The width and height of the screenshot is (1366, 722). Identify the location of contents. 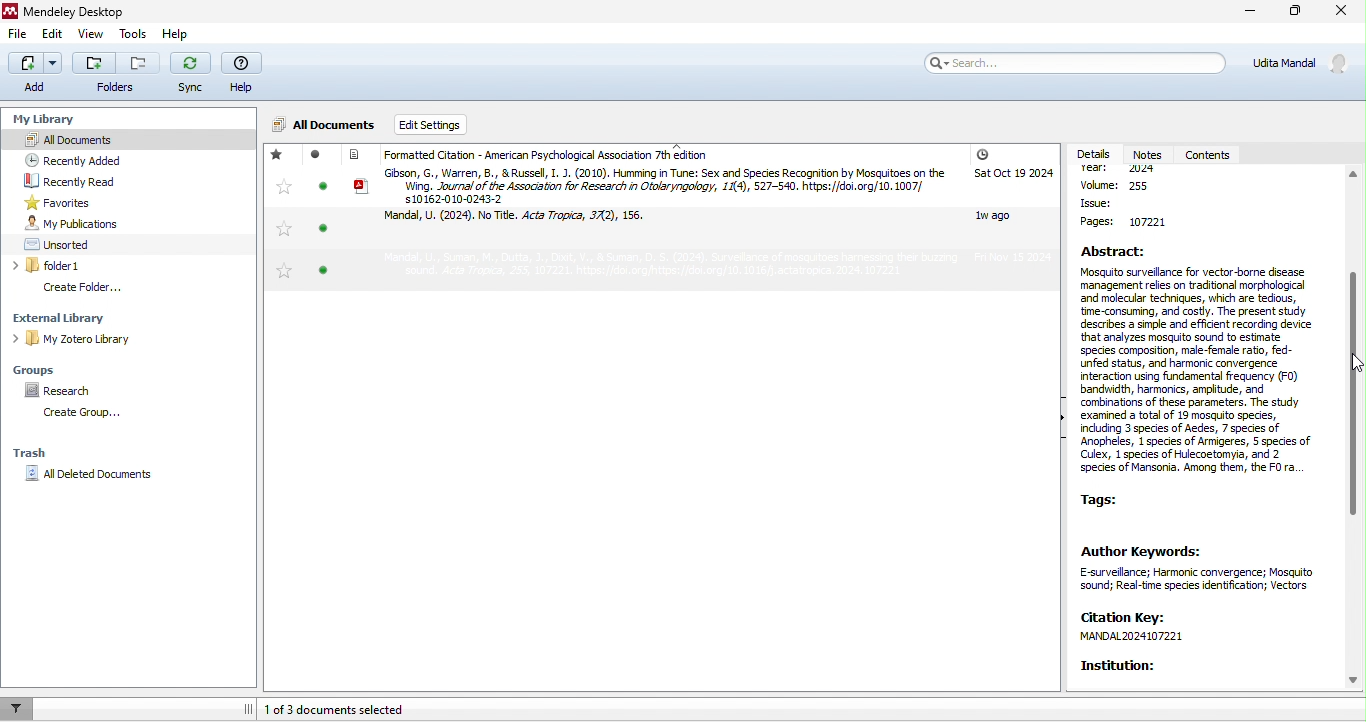
(1210, 156).